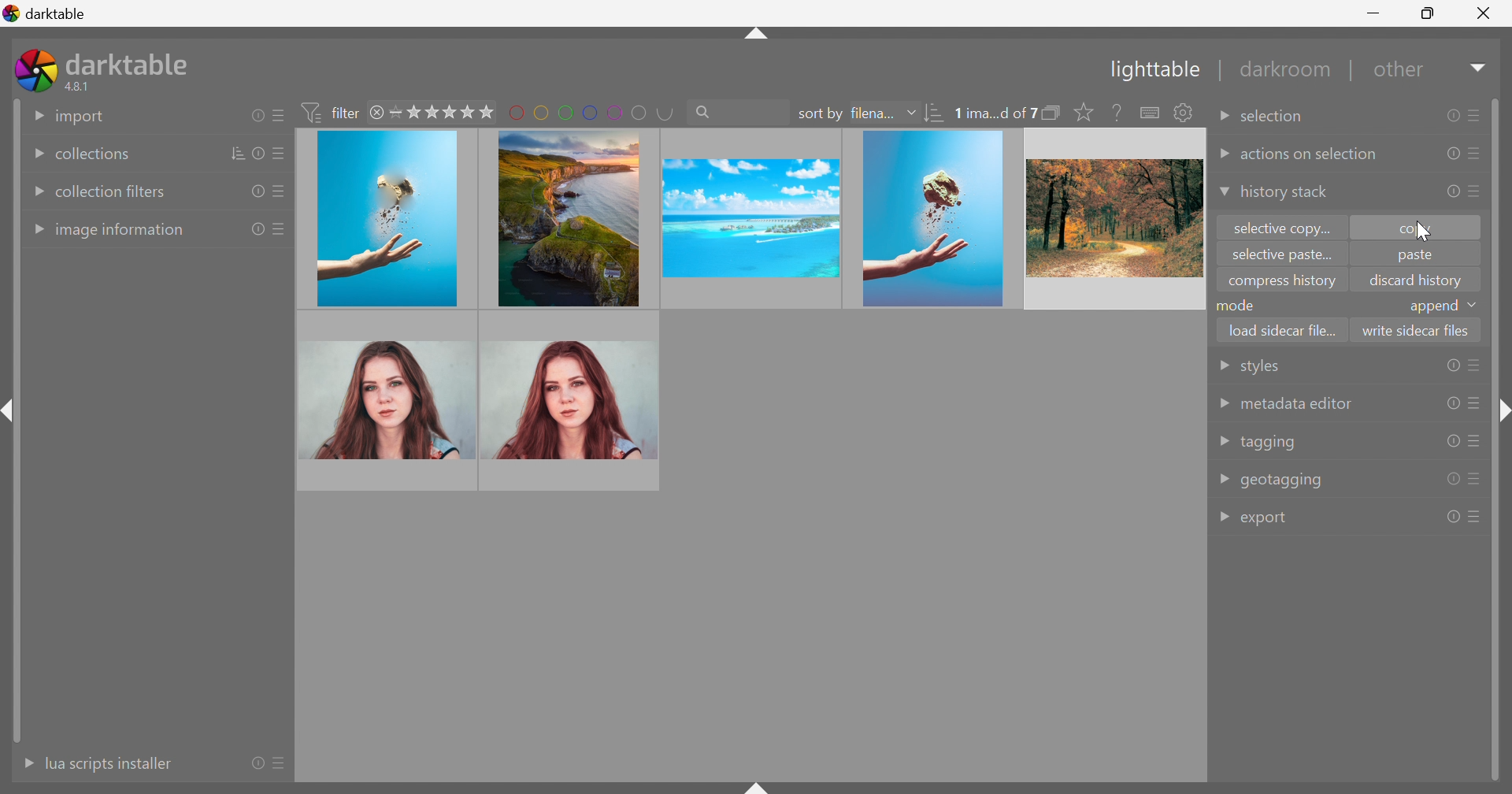 The image size is (1512, 794). Describe the element at coordinates (1475, 113) in the screenshot. I see `presets` at that location.